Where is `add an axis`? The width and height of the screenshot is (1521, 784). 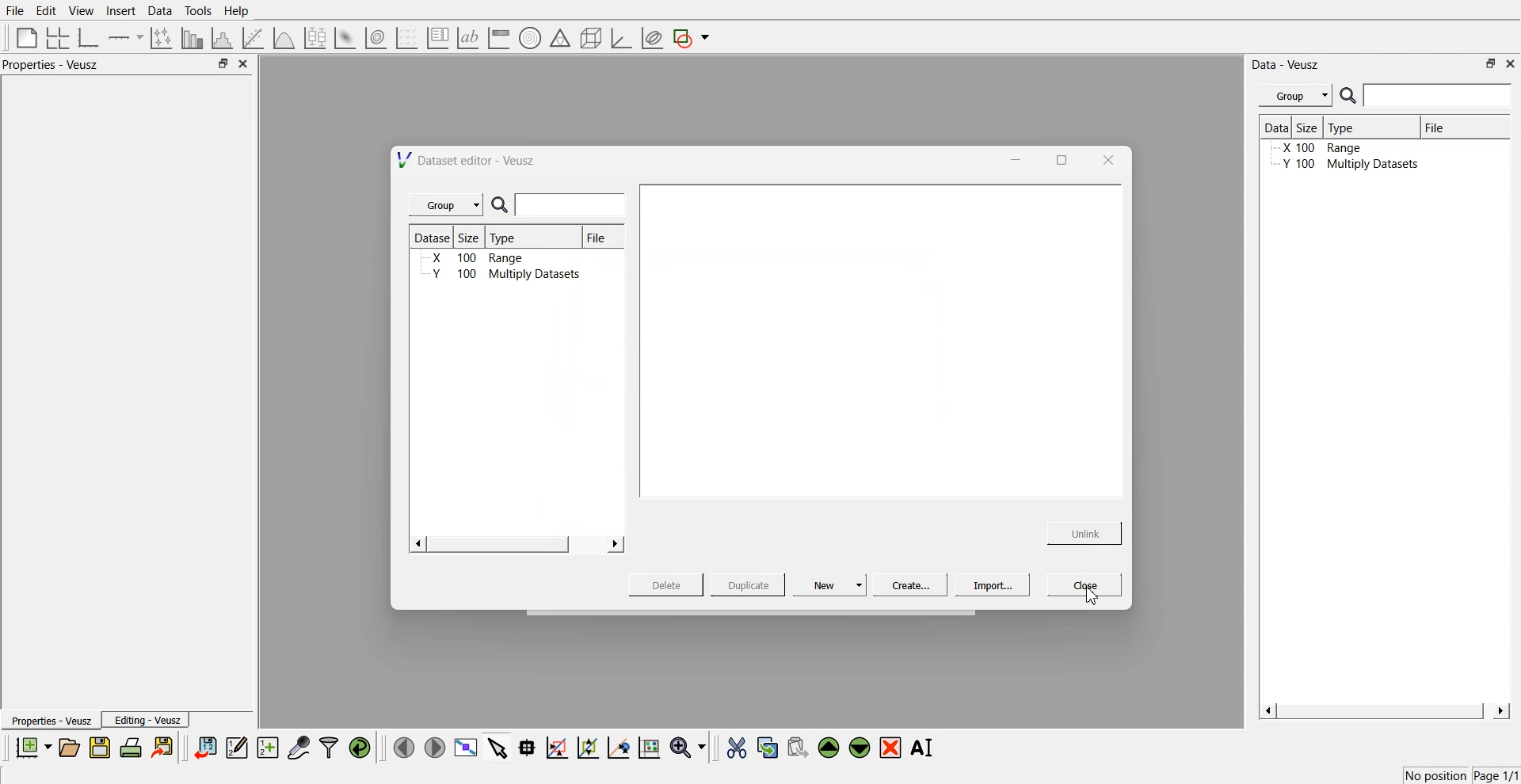
add an axis is located at coordinates (127, 37).